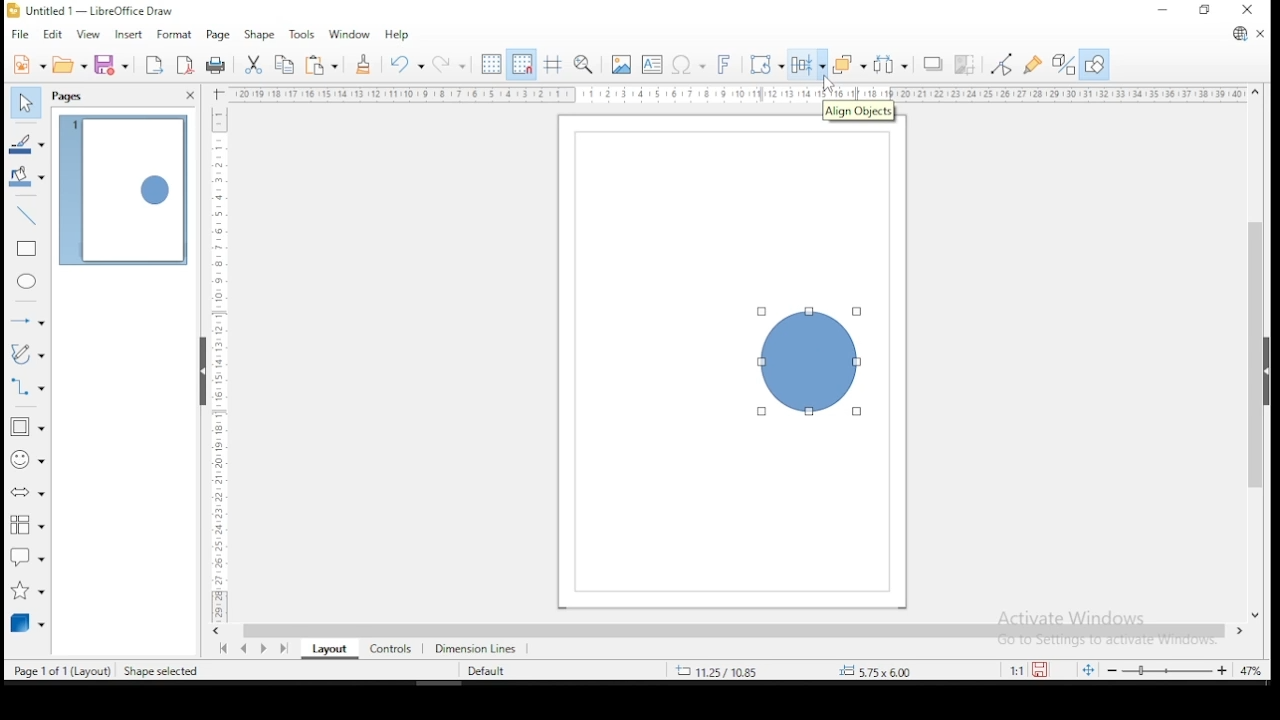  Describe the element at coordinates (521, 64) in the screenshot. I see `snap to grids` at that location.